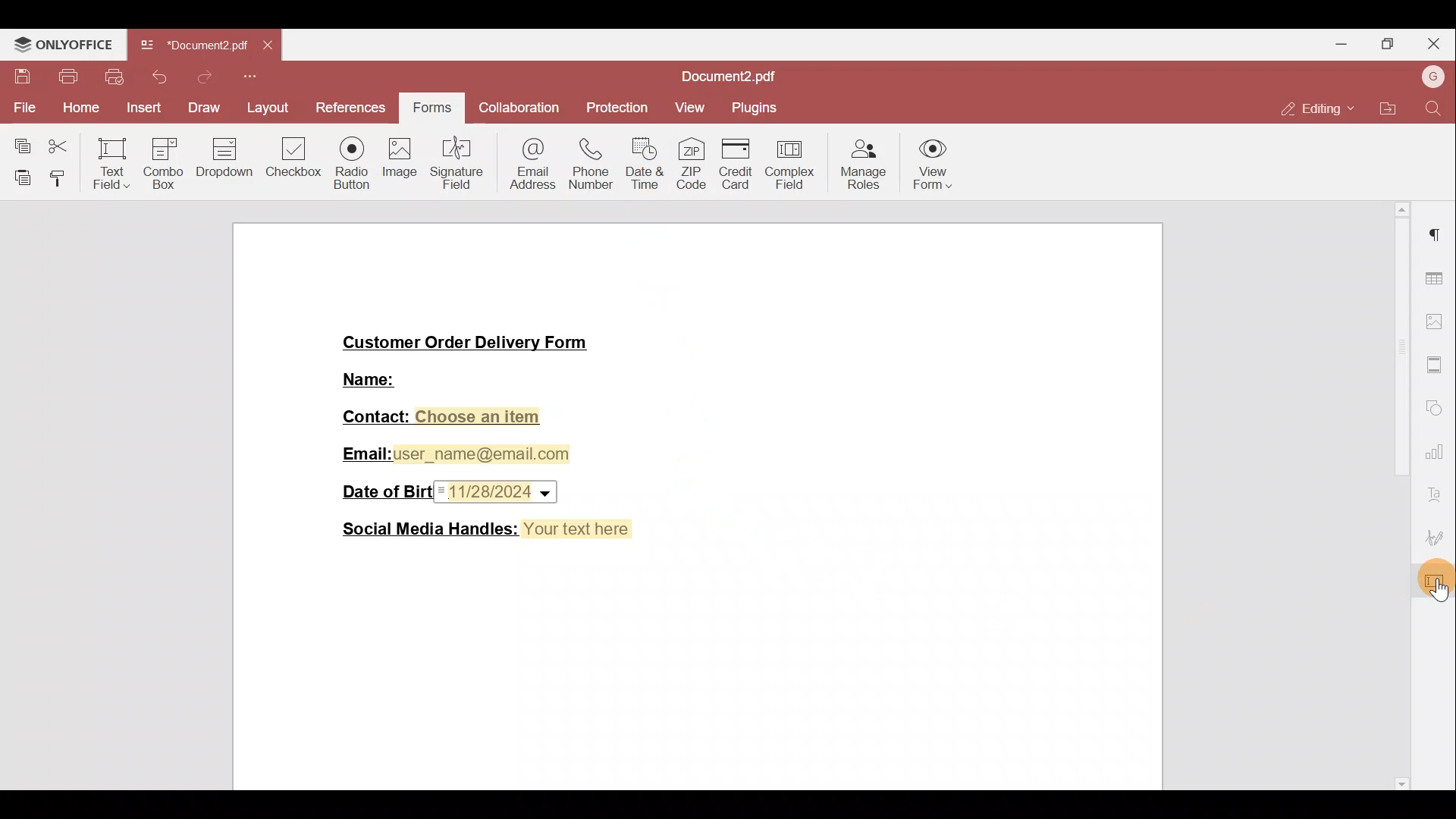 The height and width of the screenshot is (819, 1456). What do you see at coordinates (113, 76) in the screenshot?
I see `Quick print` at bounding box center [113, 76].